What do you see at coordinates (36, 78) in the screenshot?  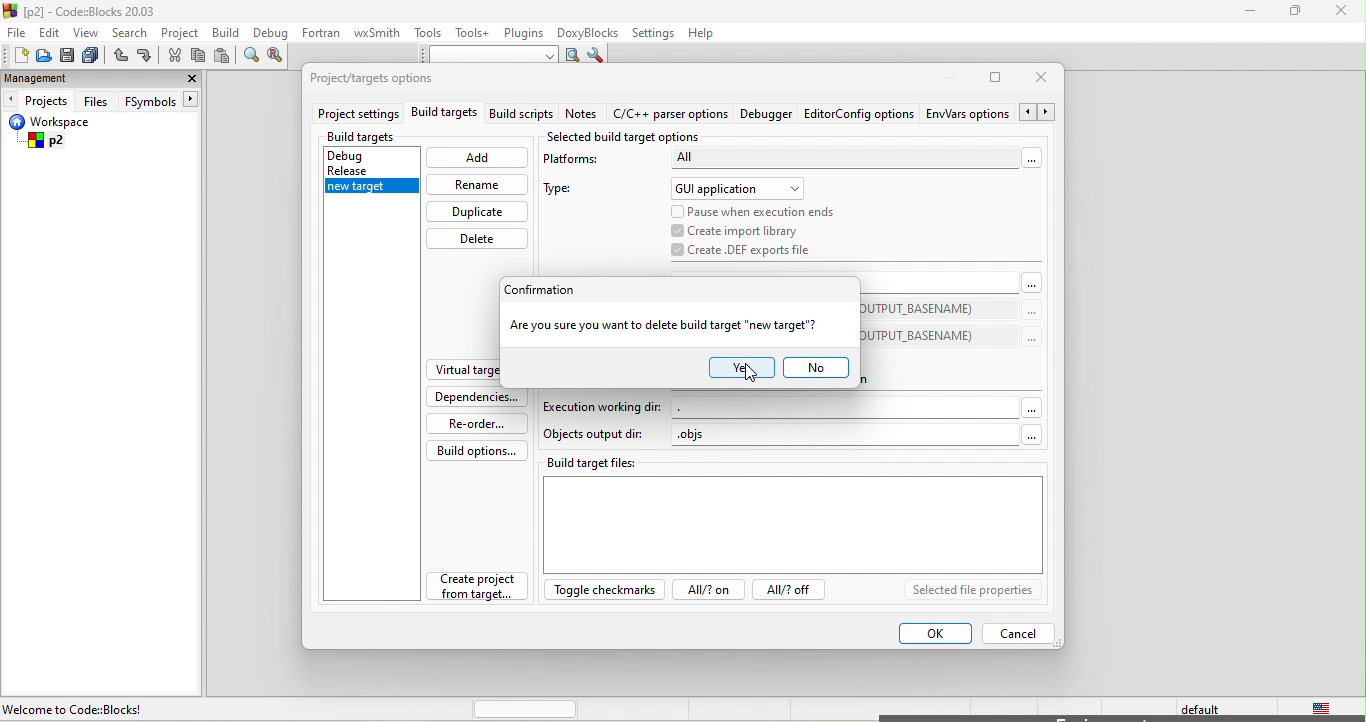 I see `management` at bounding box center [36, 78].